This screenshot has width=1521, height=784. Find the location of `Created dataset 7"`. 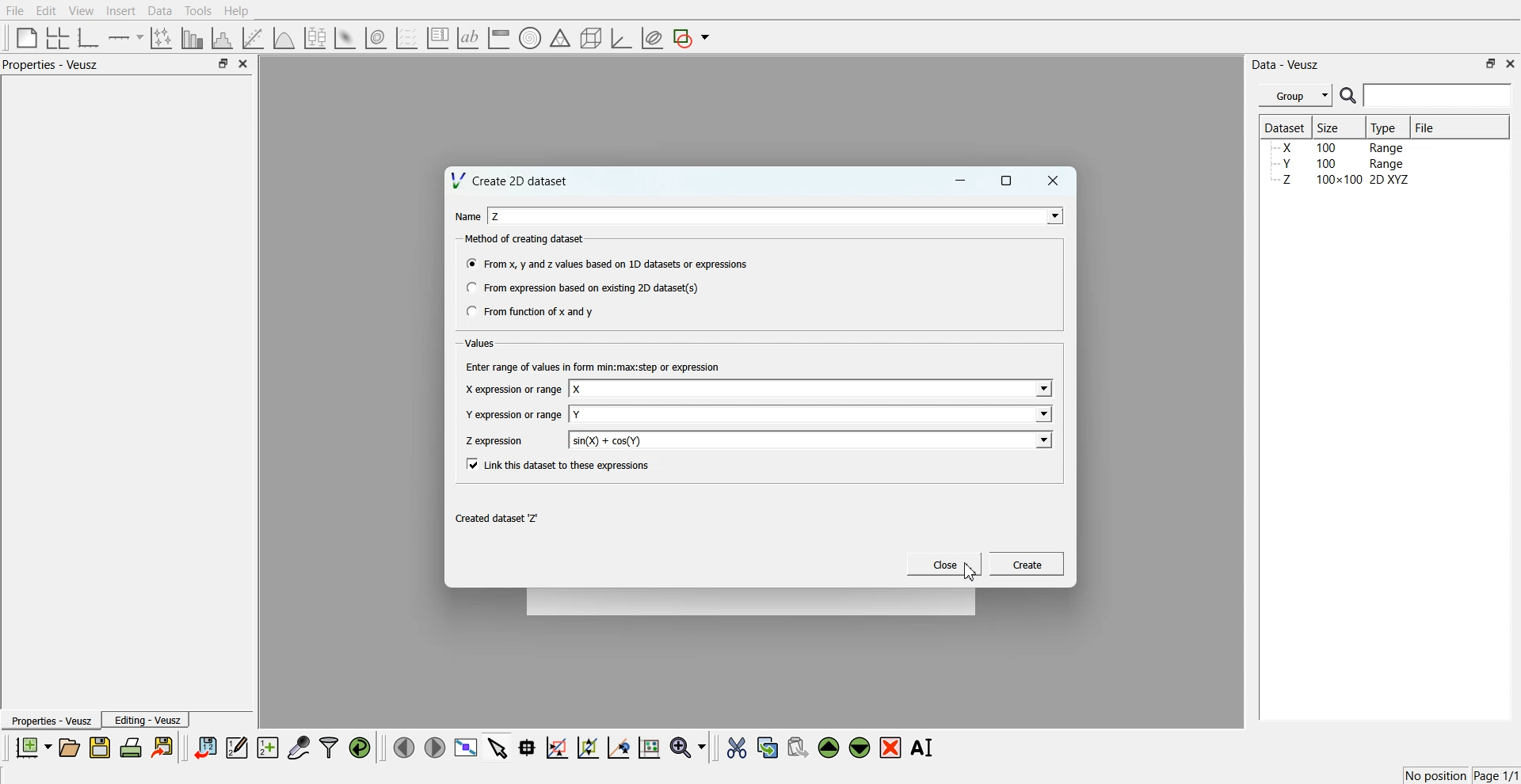

Created dataset 7" is located at coordinates (501, 519).